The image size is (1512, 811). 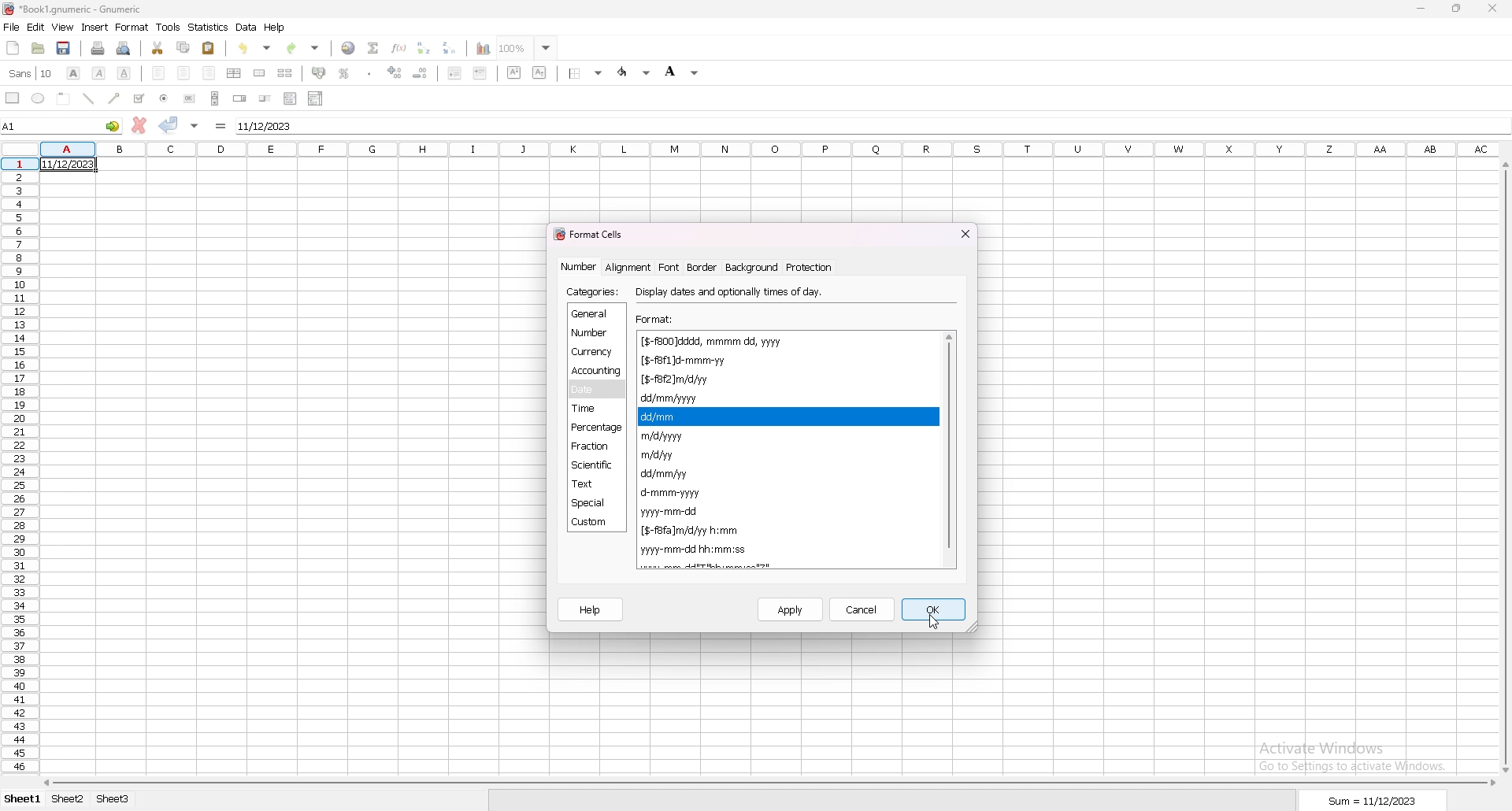 I want to click on combo box, so click(x=317, y=98).